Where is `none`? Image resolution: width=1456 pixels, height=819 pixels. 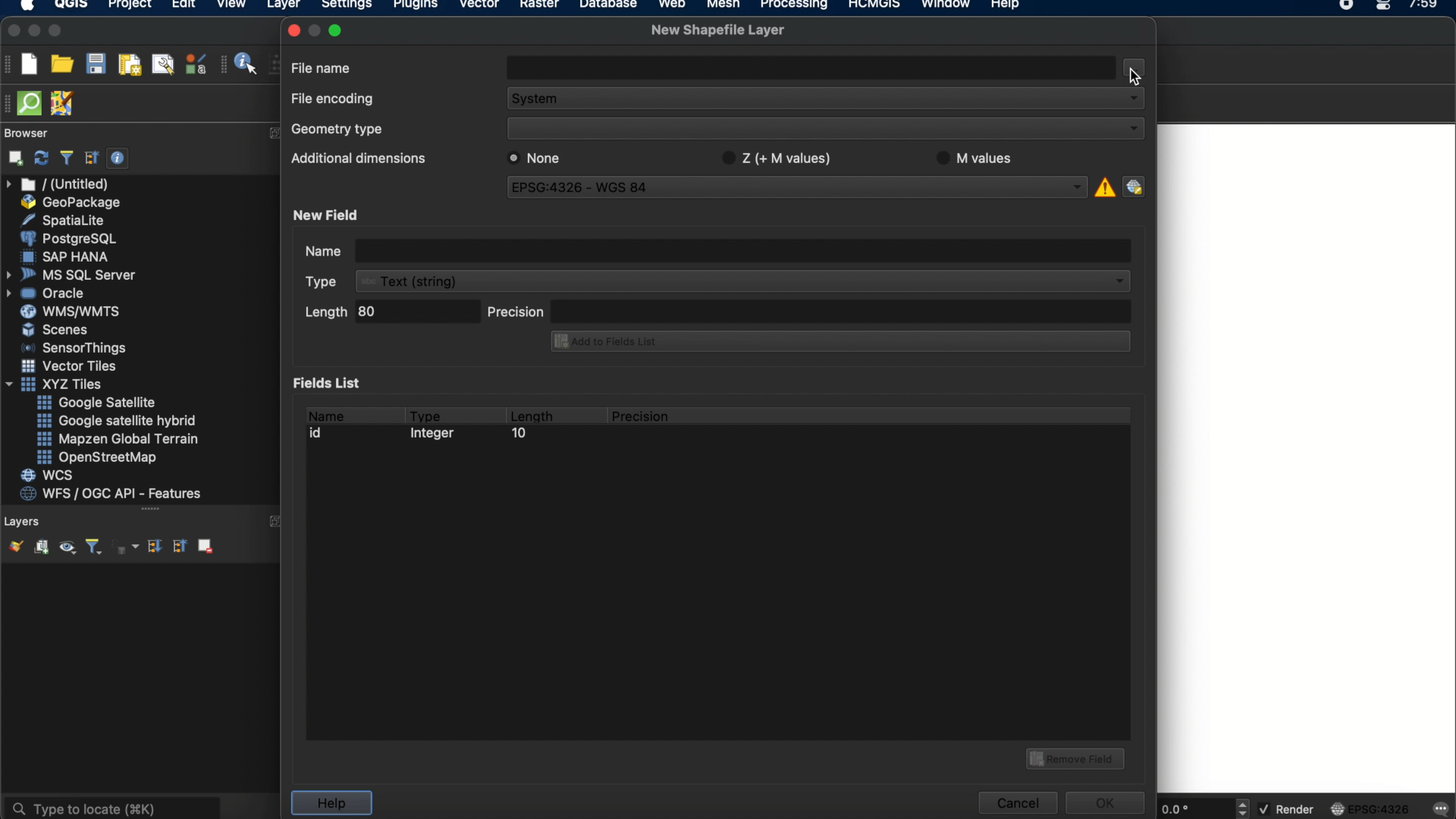 none is located at coordinates (539, 158).